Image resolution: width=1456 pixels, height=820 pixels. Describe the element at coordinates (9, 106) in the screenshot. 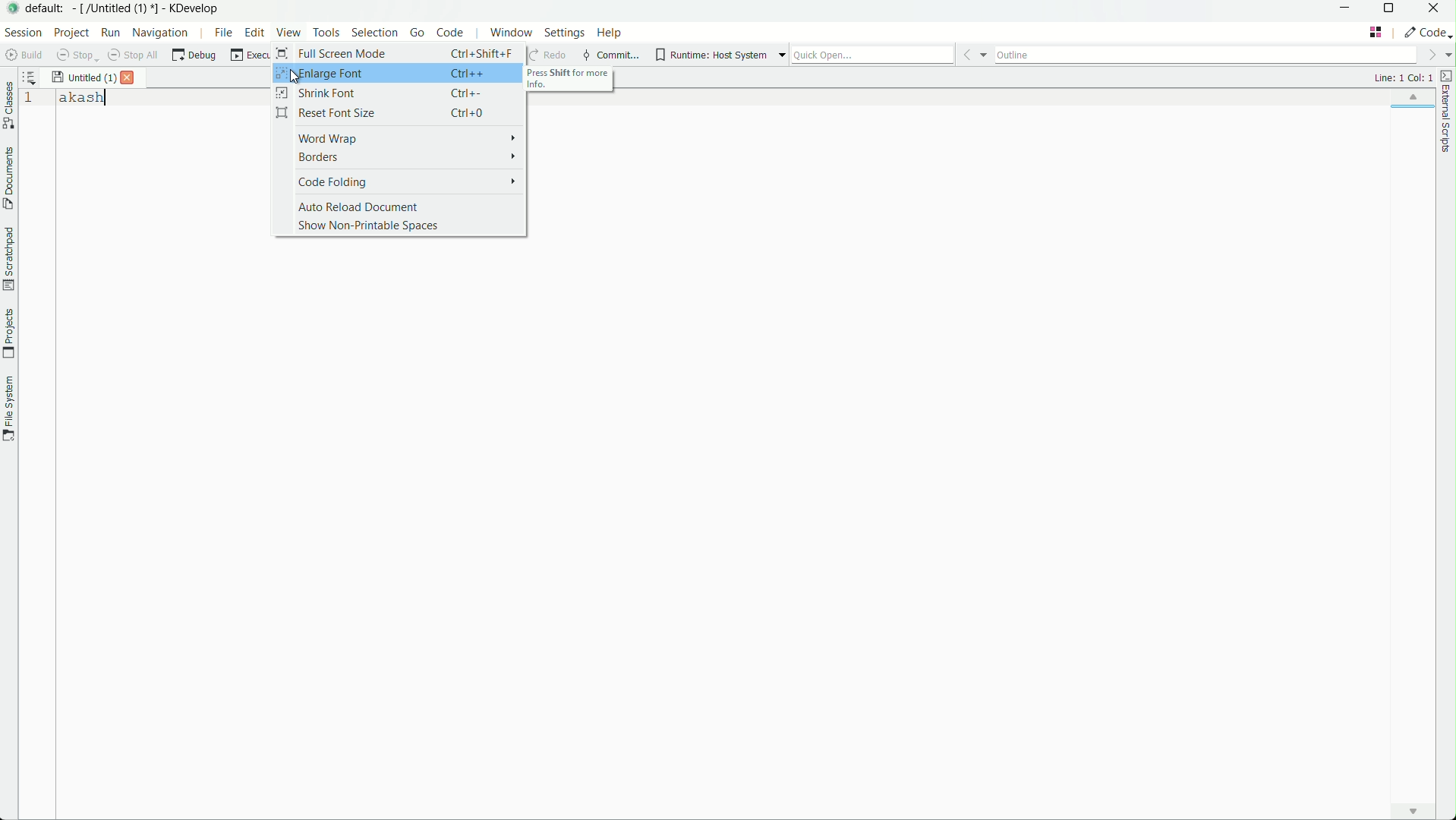

I see `classes` at that location.